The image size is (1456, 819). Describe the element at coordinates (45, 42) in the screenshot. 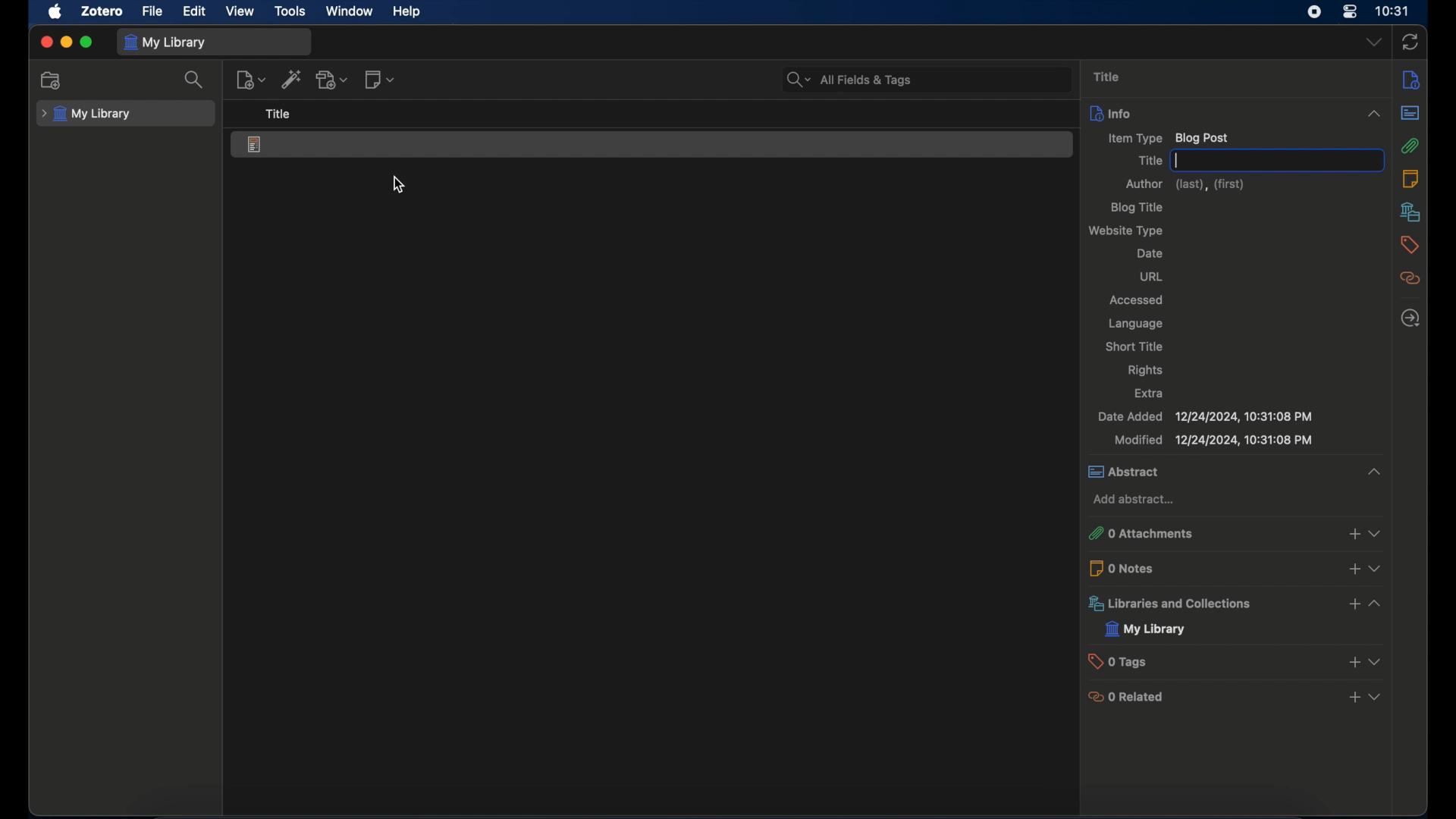

I see `close` at that location.